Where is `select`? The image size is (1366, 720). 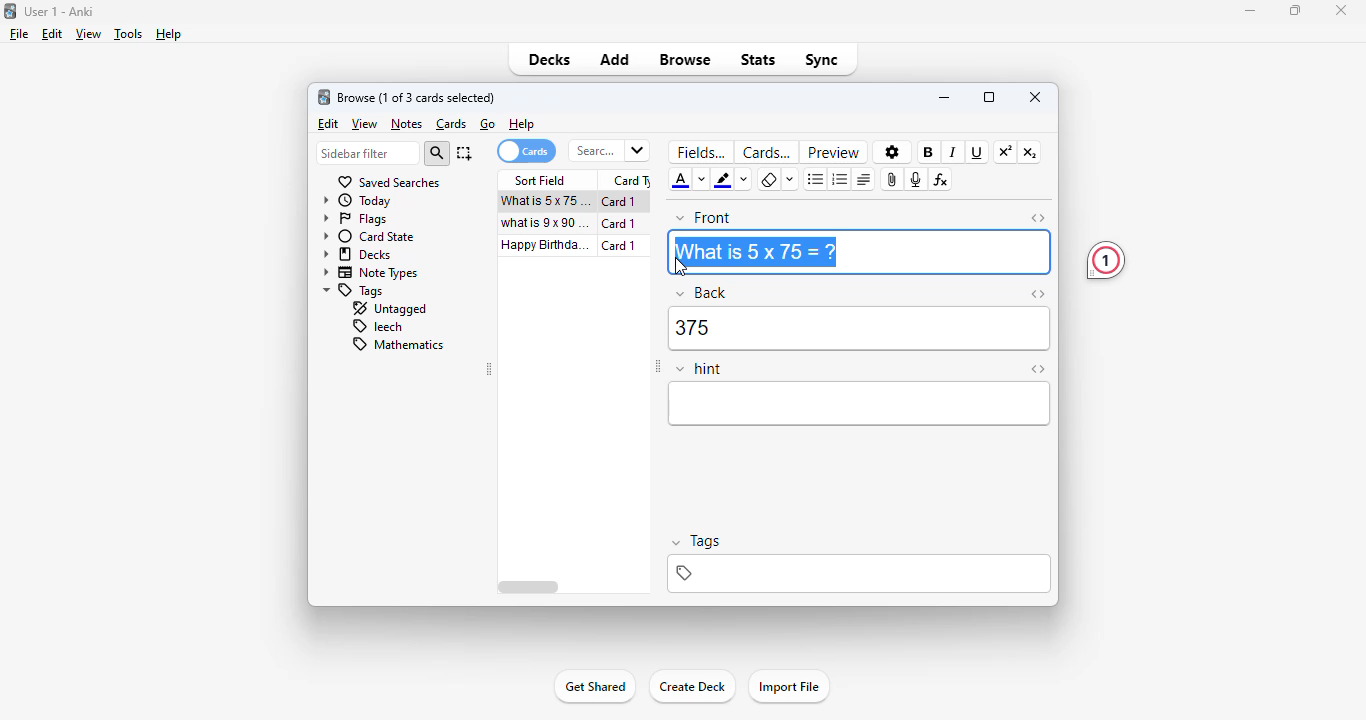 select is located at coordinates (464, 153).